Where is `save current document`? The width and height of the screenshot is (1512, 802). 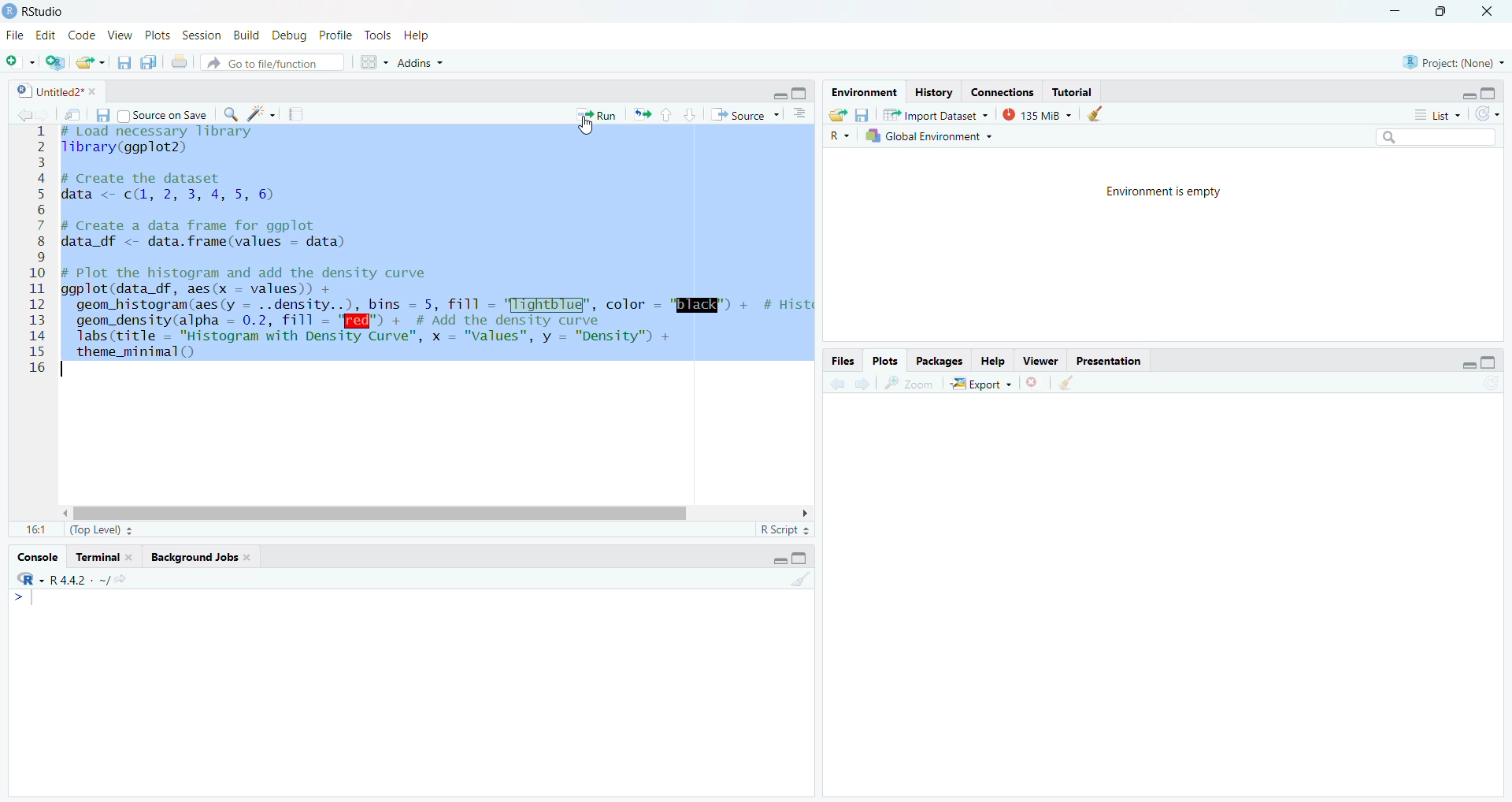 save current document is located at coordinates (124, 63).